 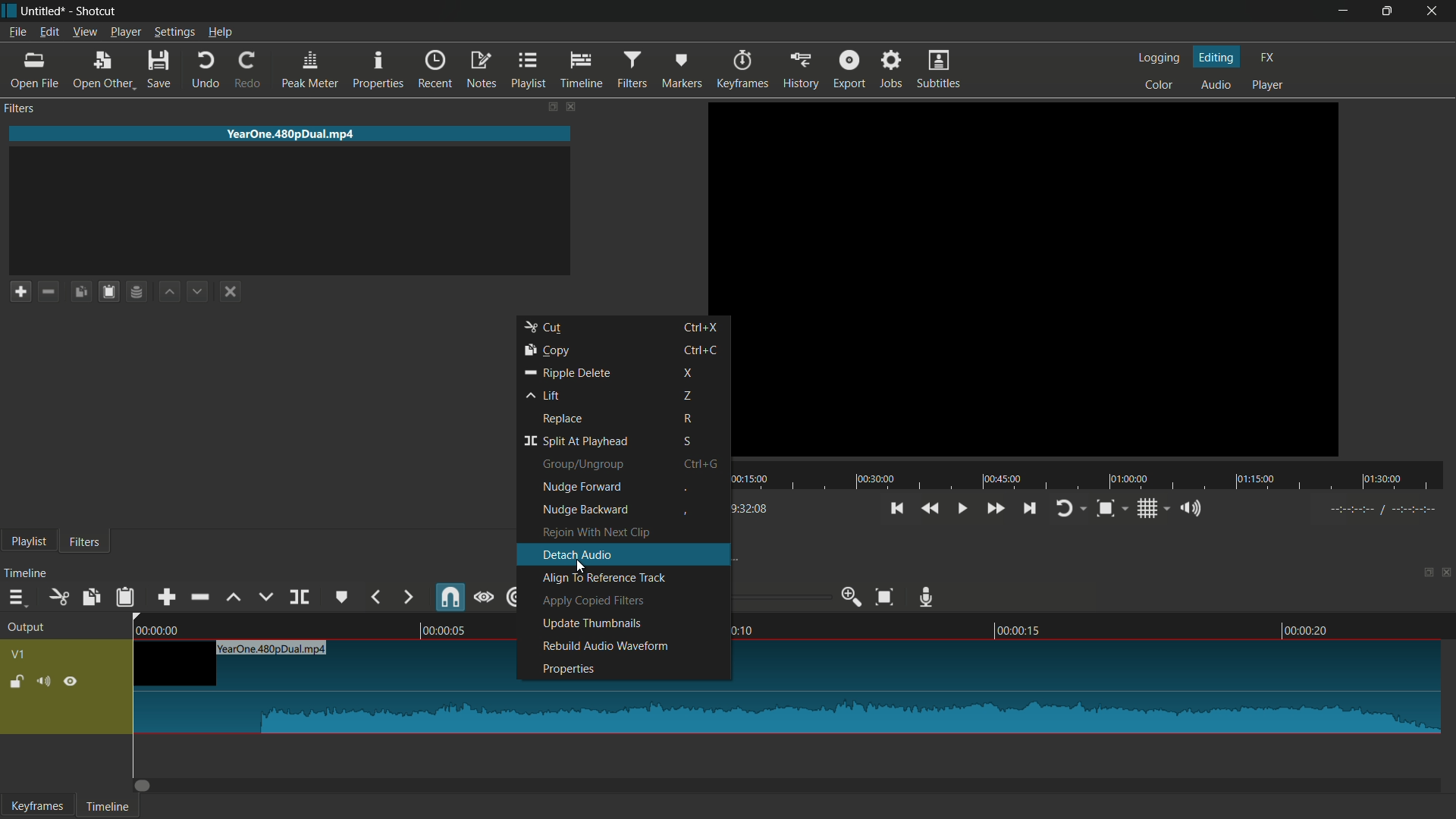 What do you see at coordinates (1021, 630) in the screenshot?
I see `00:00:15` at bounding box center [1021, 630].